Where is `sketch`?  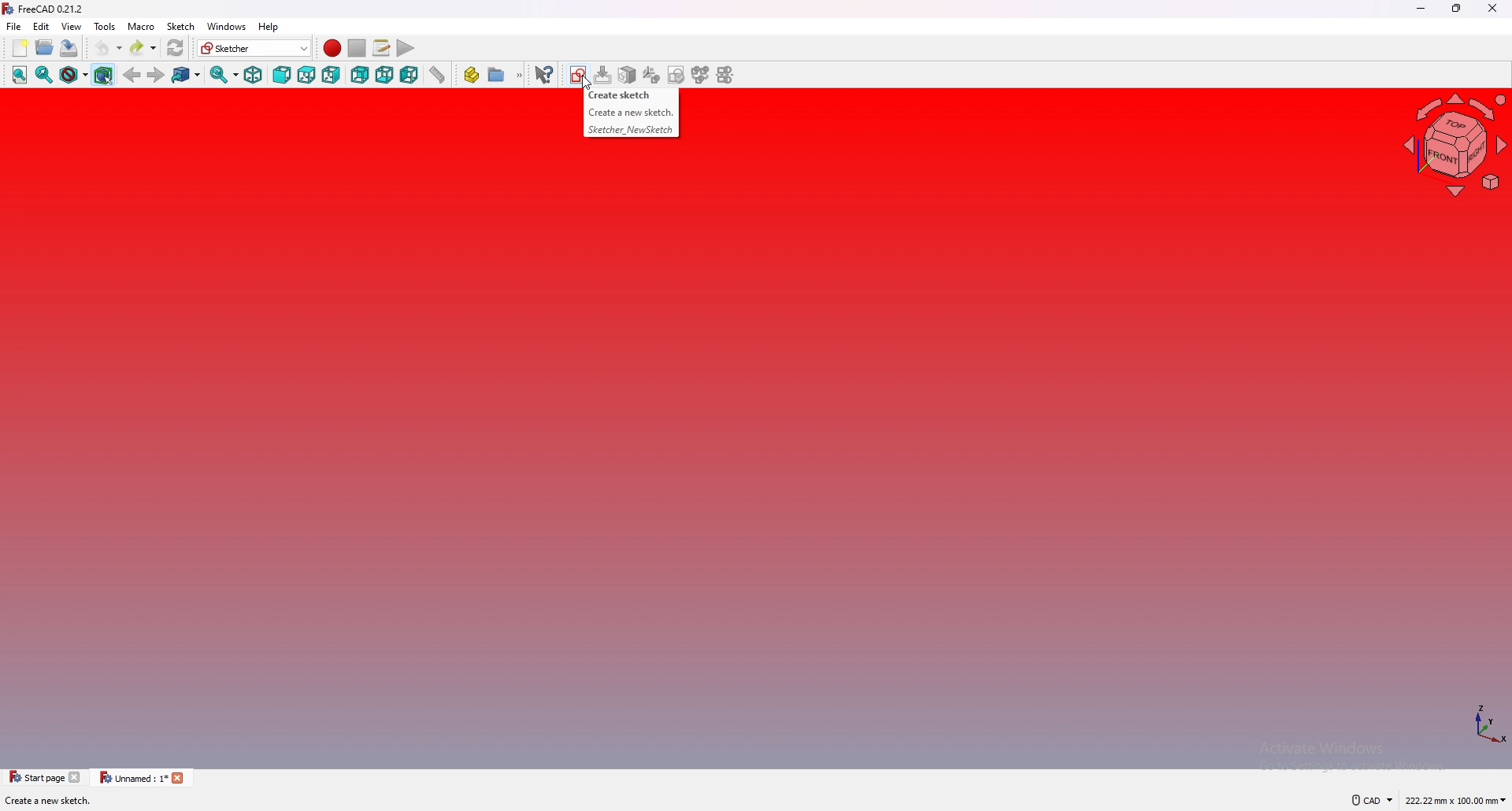
sketch is located at coordinates (181, 26).